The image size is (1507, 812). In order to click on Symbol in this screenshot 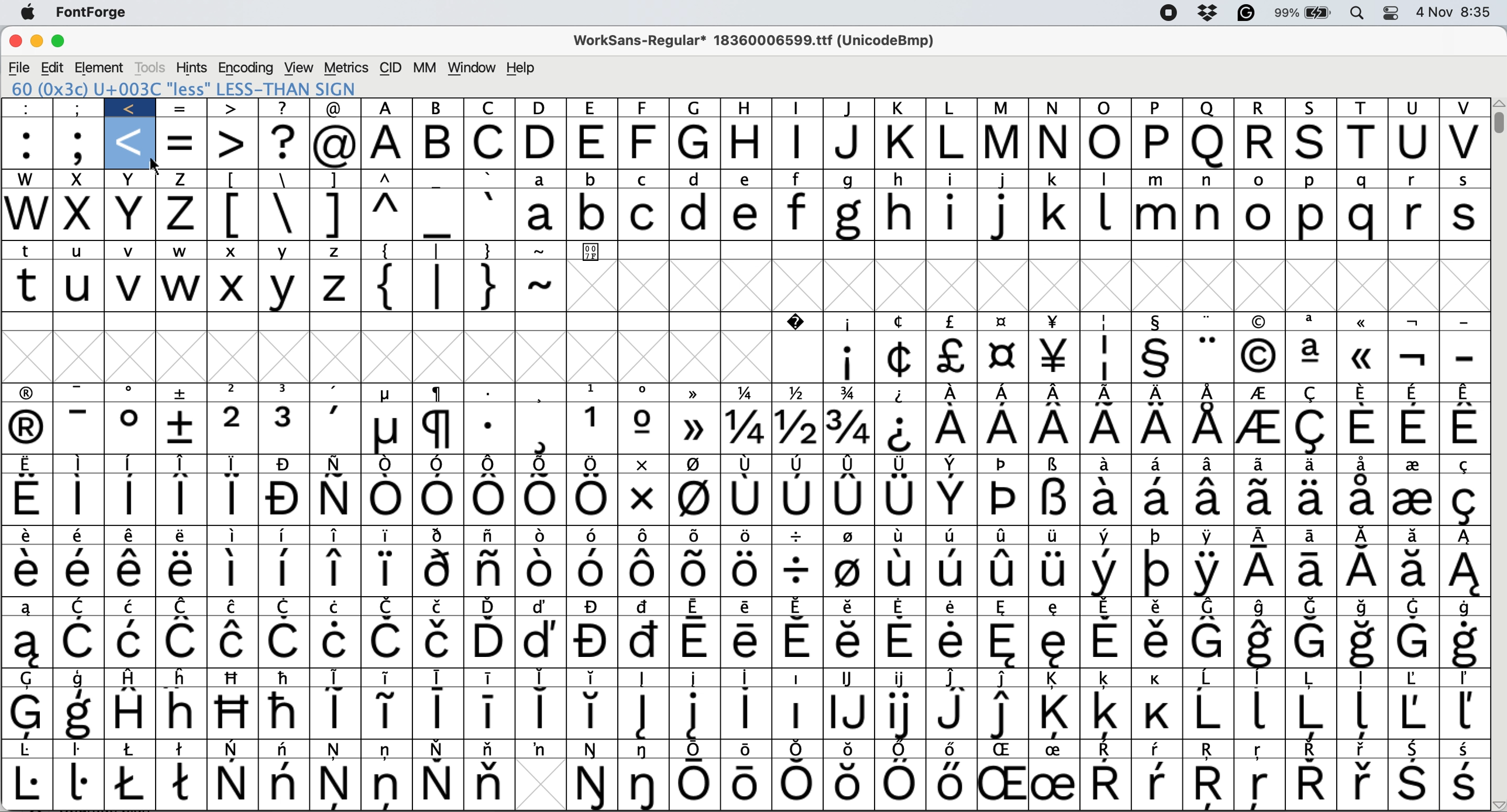, I will do `click(493, 536)`.